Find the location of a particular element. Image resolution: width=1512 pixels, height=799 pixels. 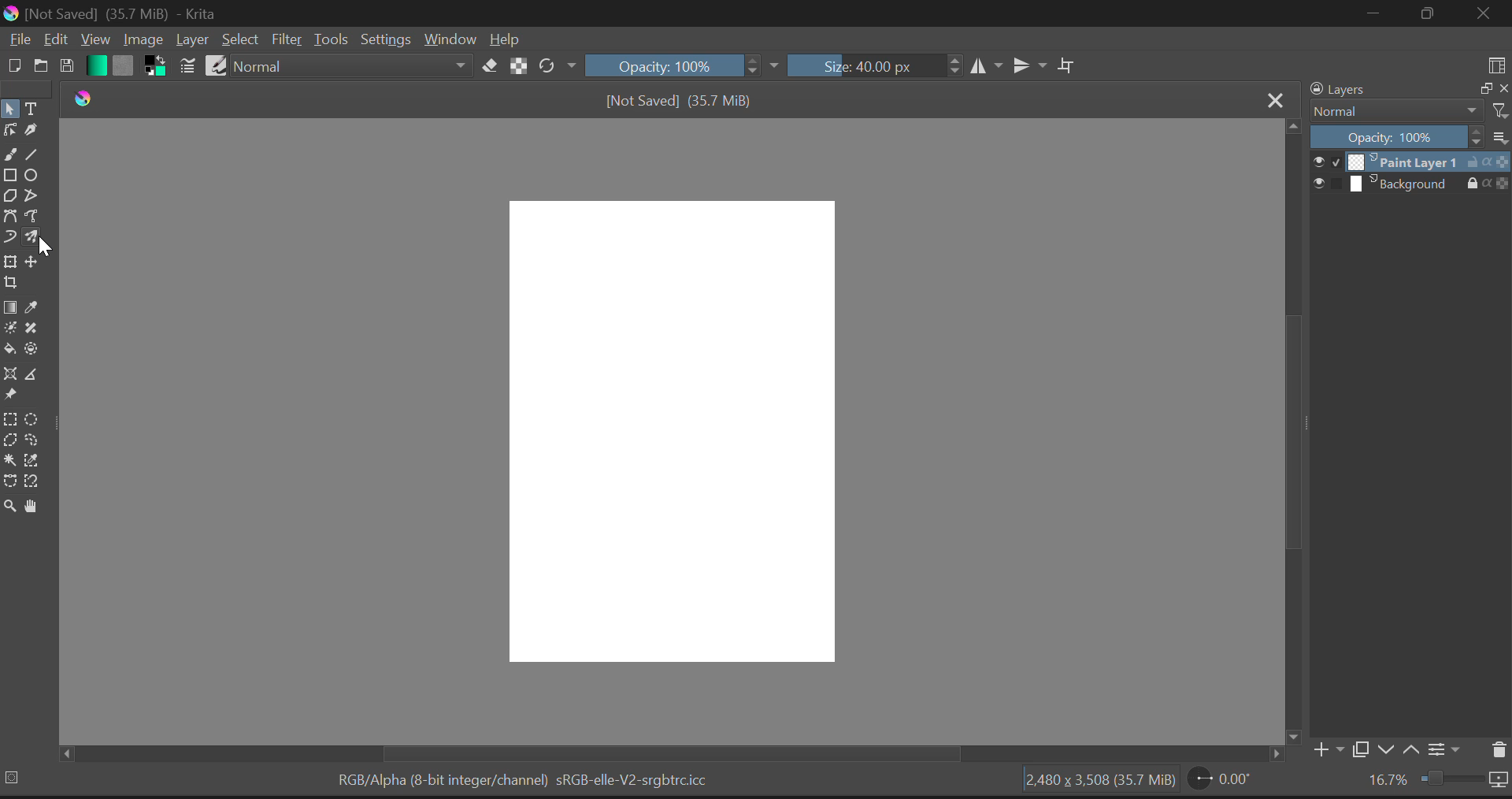

Krita Logo is located at coordinates (82, 98).